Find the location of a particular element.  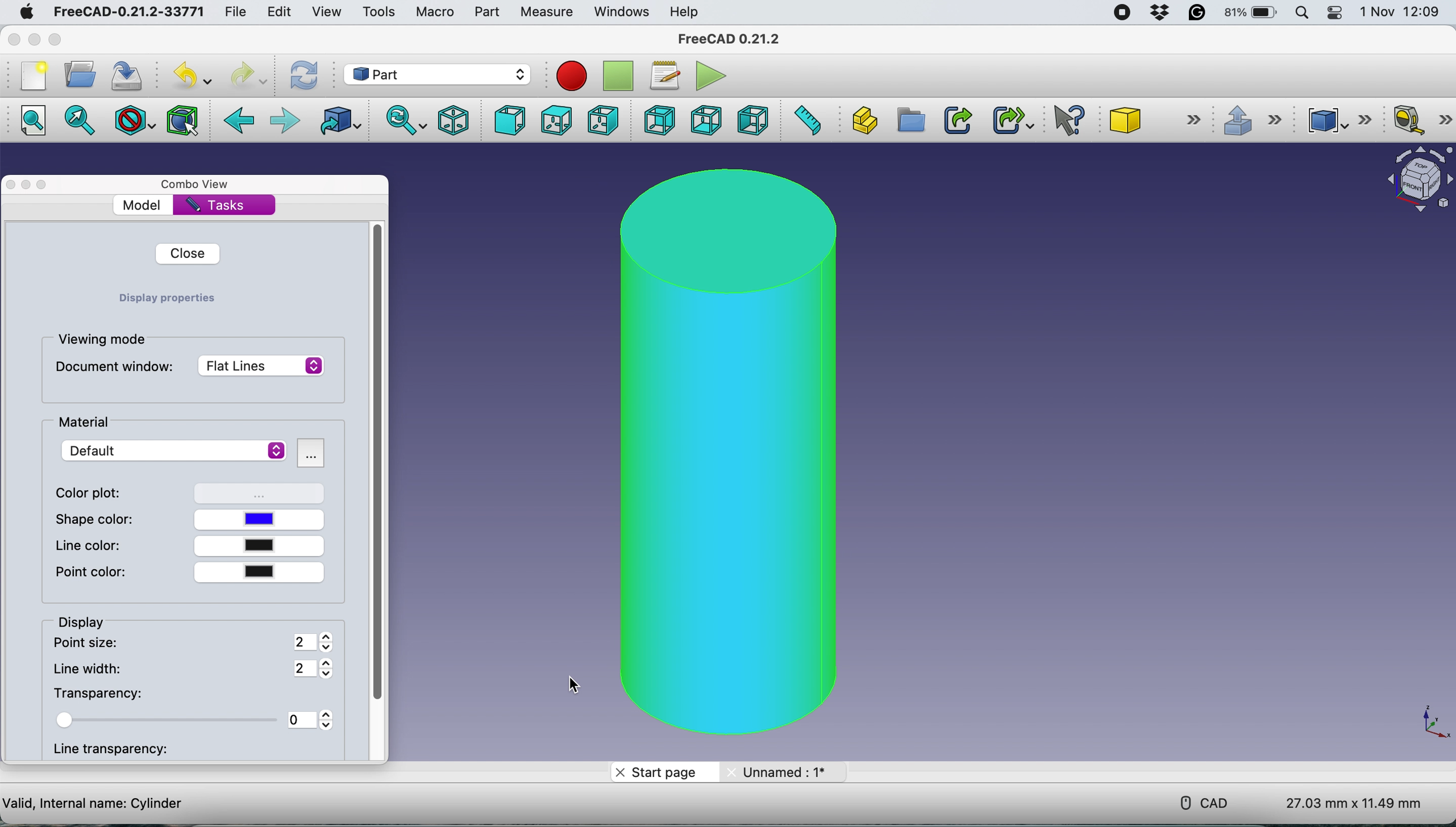

isometric is located at coordinates (452, 120).